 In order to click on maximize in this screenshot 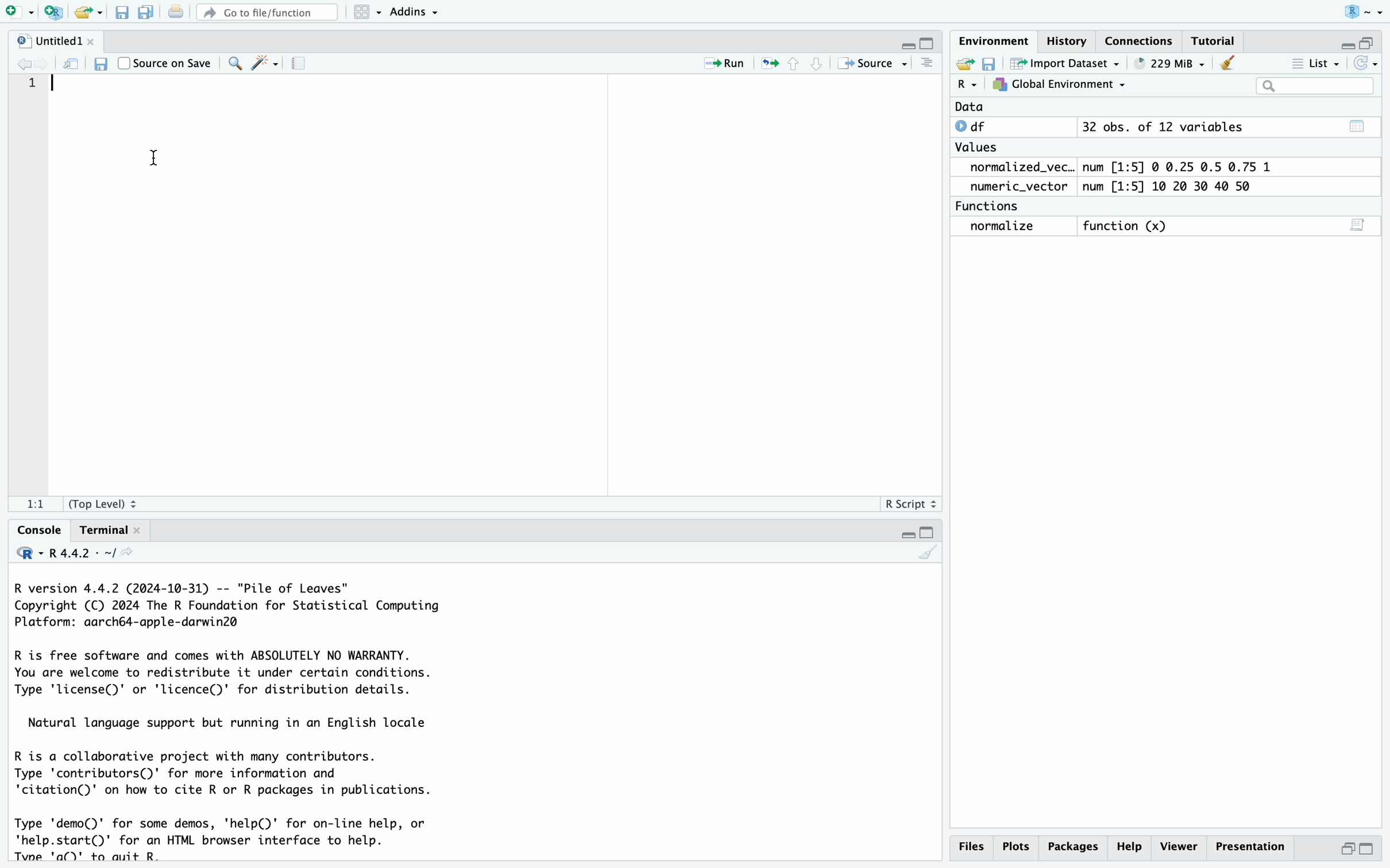, I will do `click(929, 533)`.